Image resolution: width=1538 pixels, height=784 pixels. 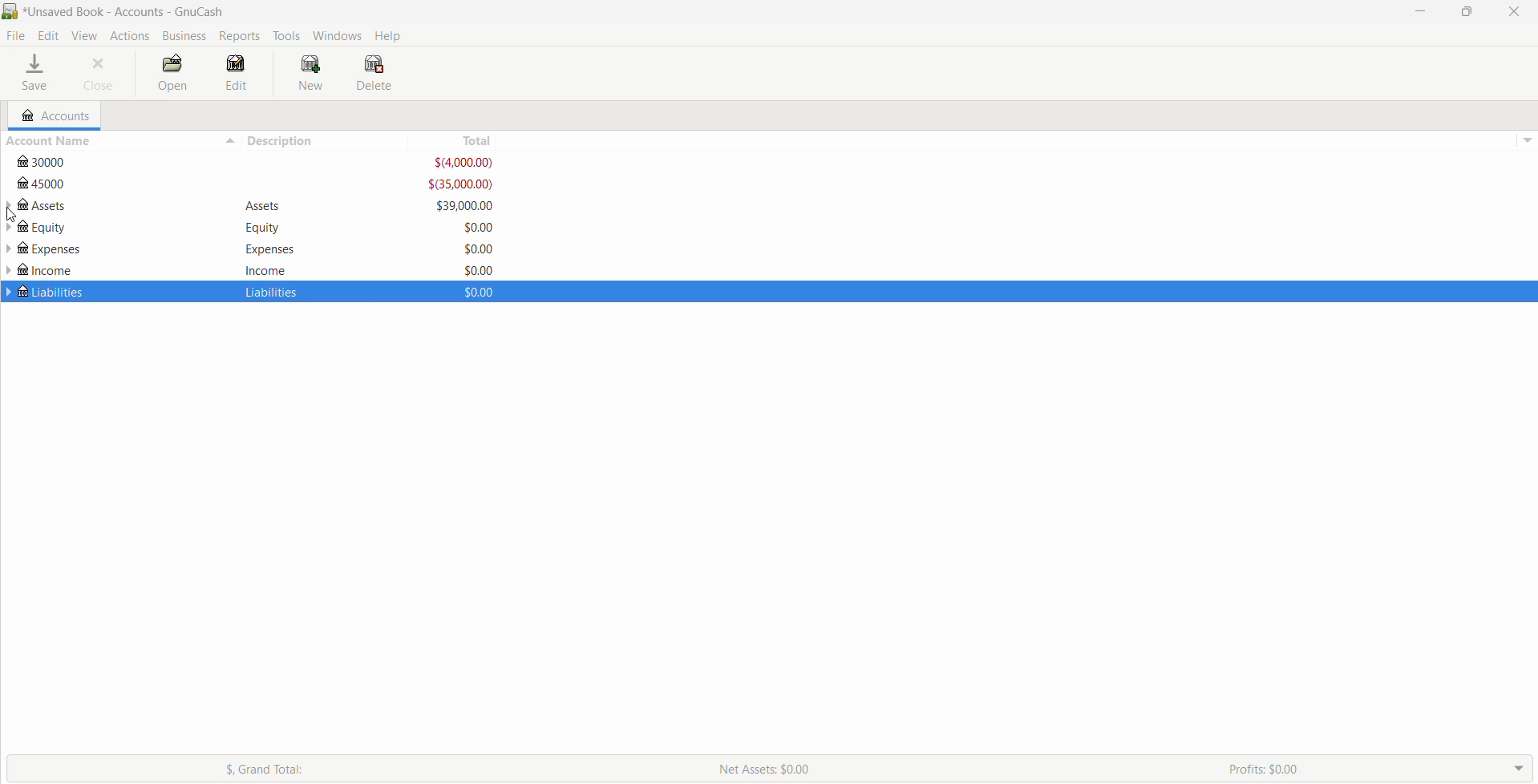 What do you see at coordinates (175, 73) in the screenshot?
I see `Open` at bounding box center [175, 73].